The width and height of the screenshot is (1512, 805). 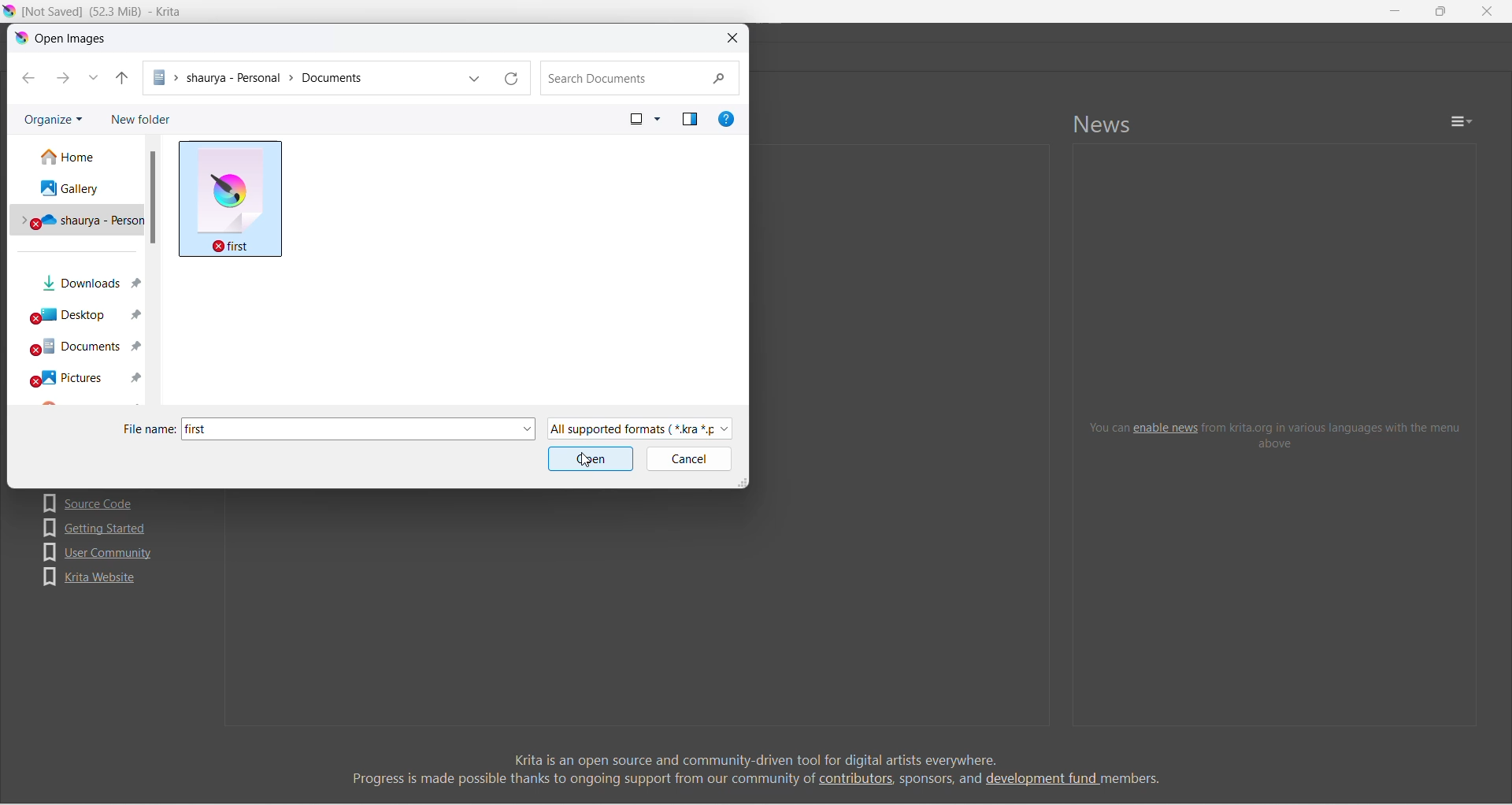 I want to click on file name box, so click(x=365, y=429).